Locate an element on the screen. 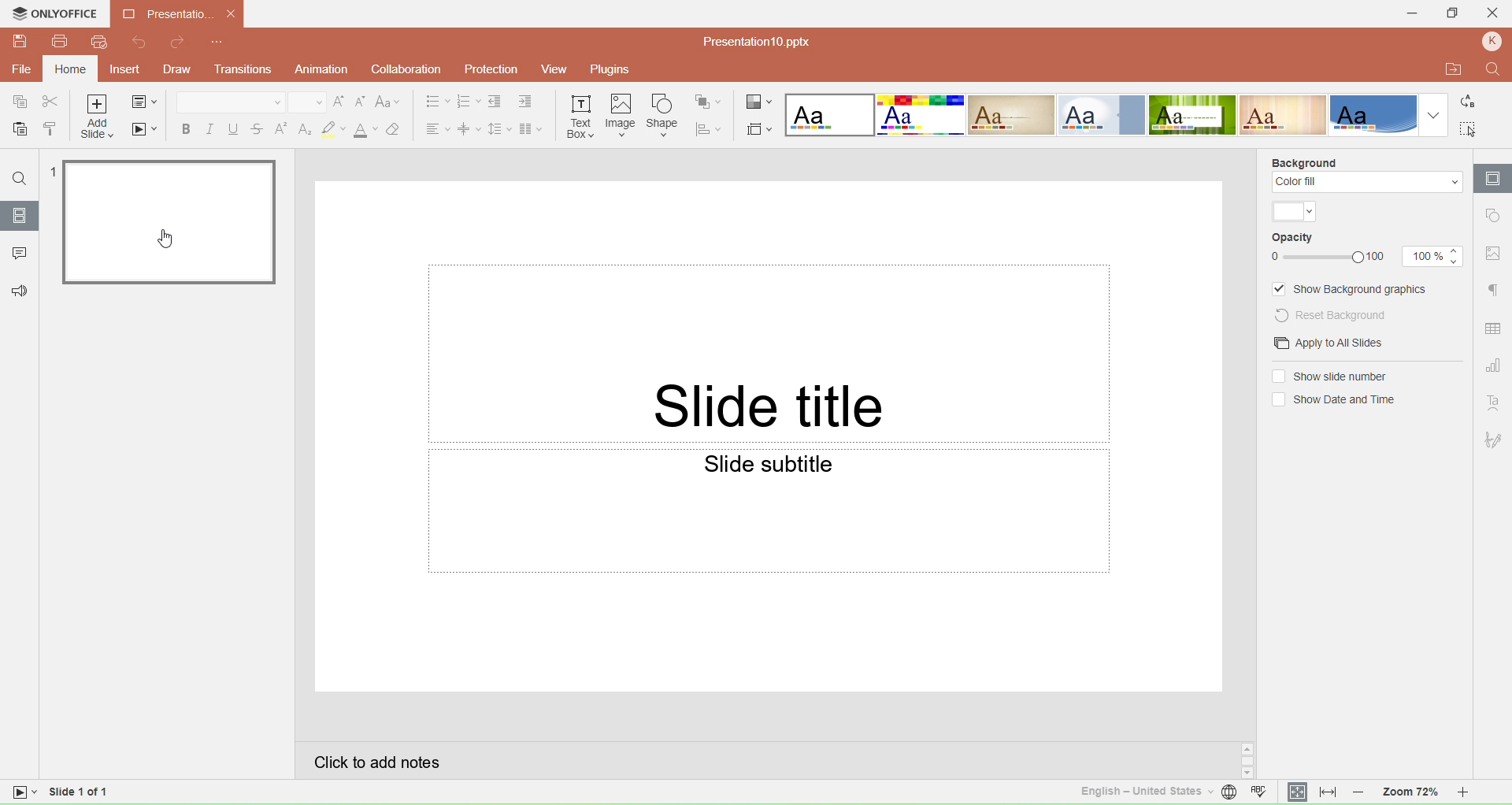 The width and height of the screenshot is (1512, 805). Table setting is located at coordinates (1494, 329).